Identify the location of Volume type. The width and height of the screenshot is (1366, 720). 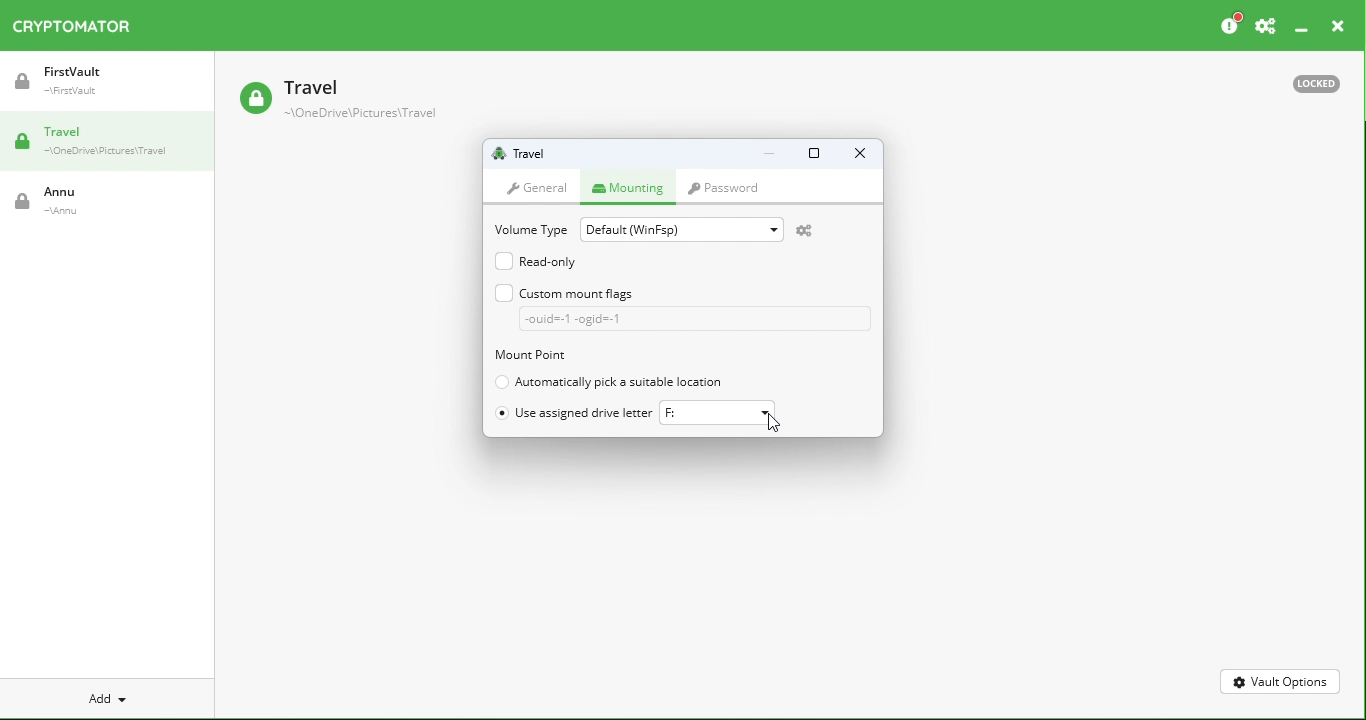
(528, 228).